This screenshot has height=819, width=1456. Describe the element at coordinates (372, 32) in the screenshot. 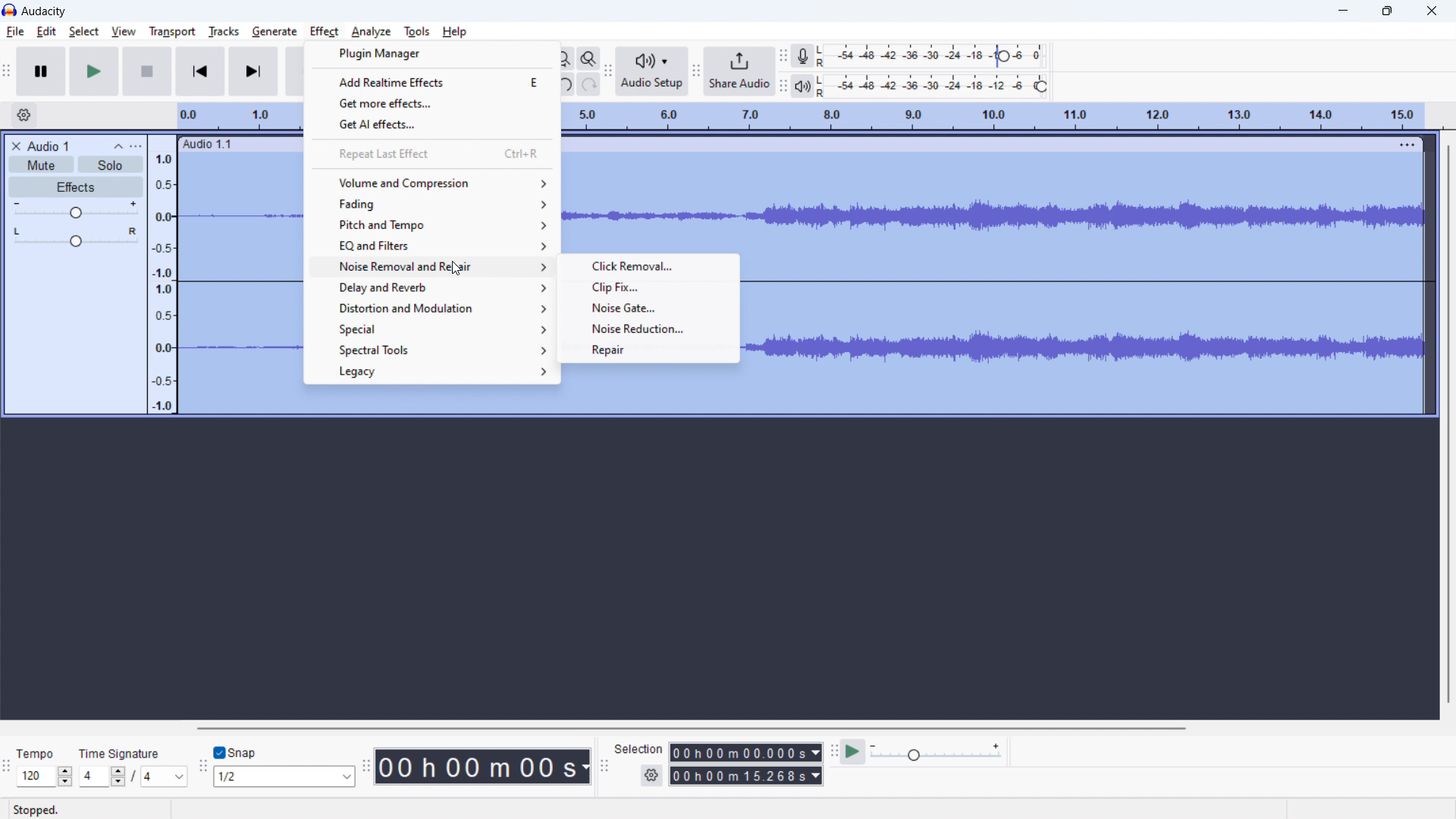

I see `analyze` at that location.